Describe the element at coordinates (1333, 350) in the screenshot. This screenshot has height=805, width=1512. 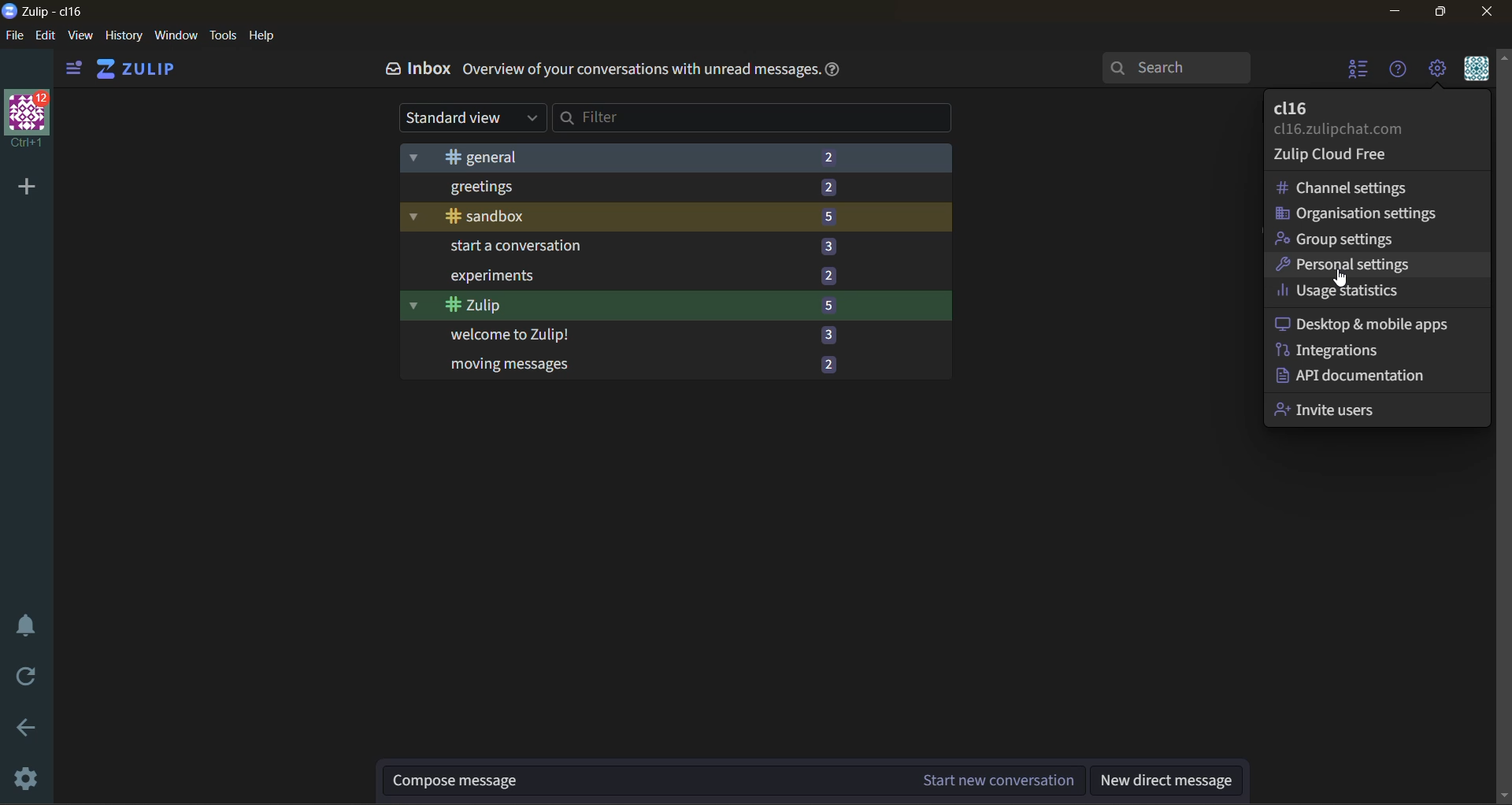
I see `integrations` at that location.